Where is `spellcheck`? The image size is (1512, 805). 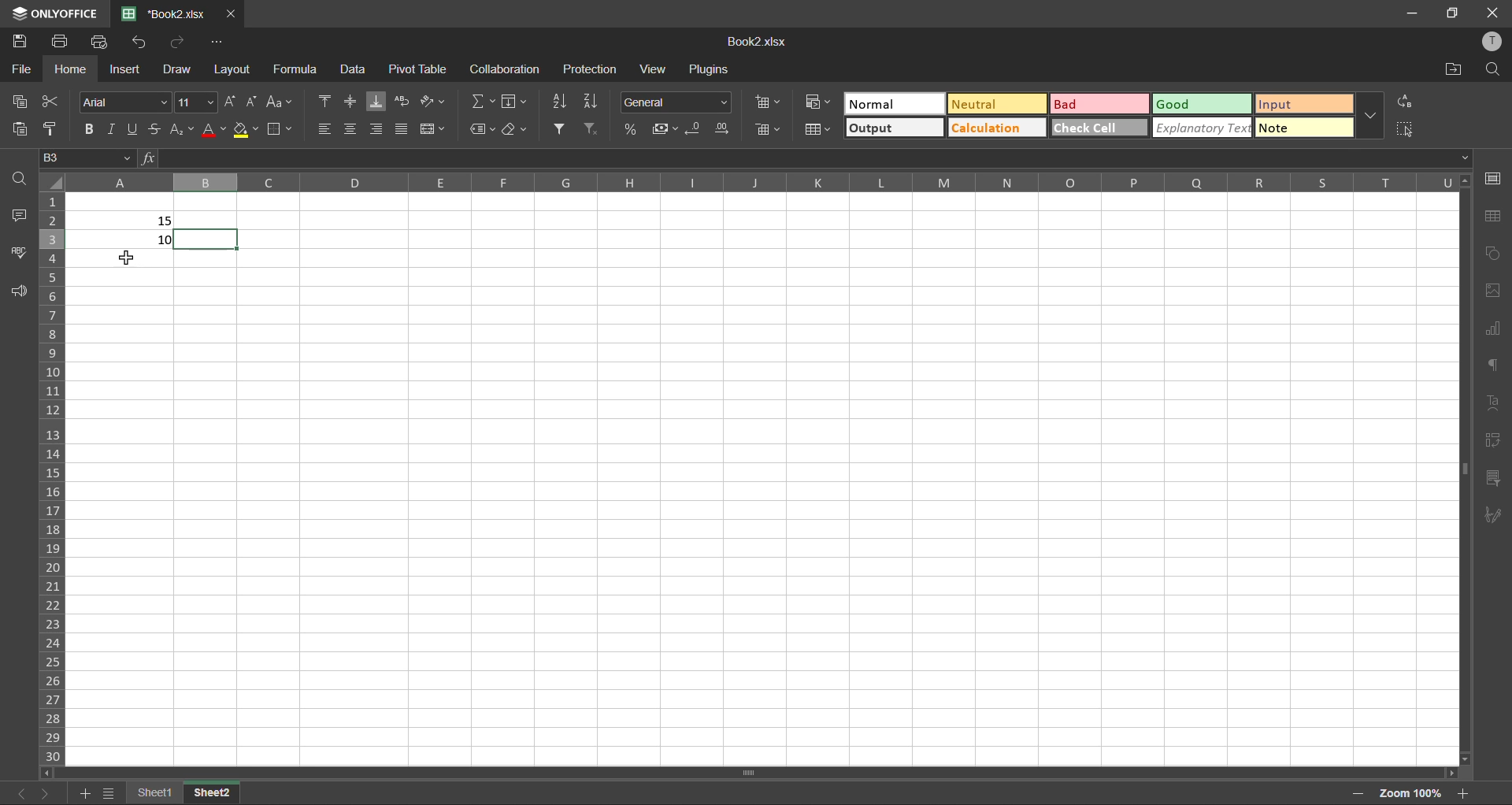 spellcheck is located at coordinates (20, 254).